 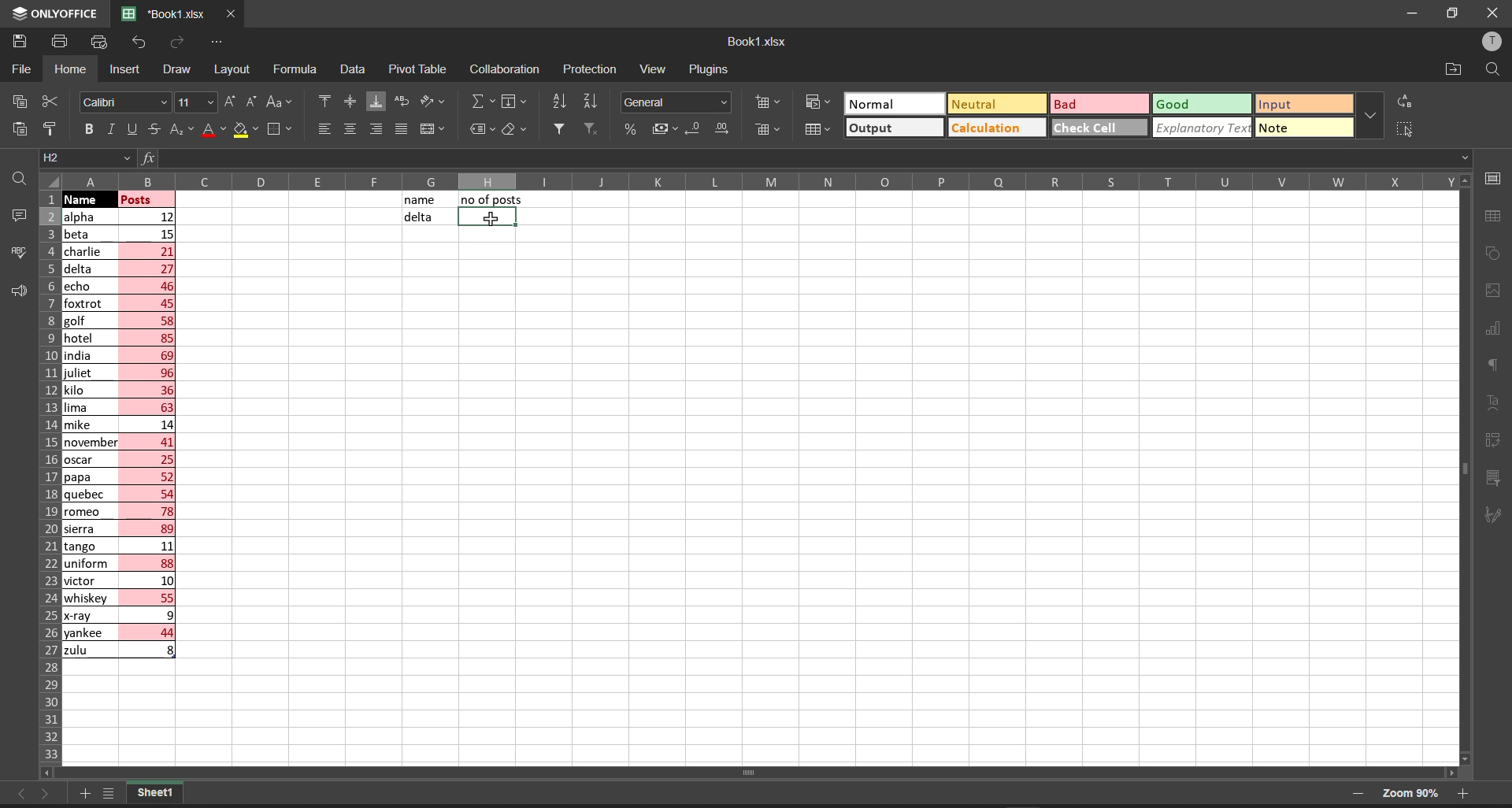 What do you see at coordinates (138, 45) in the screenshot?
I see `undo` at bounding box center [138, 45].